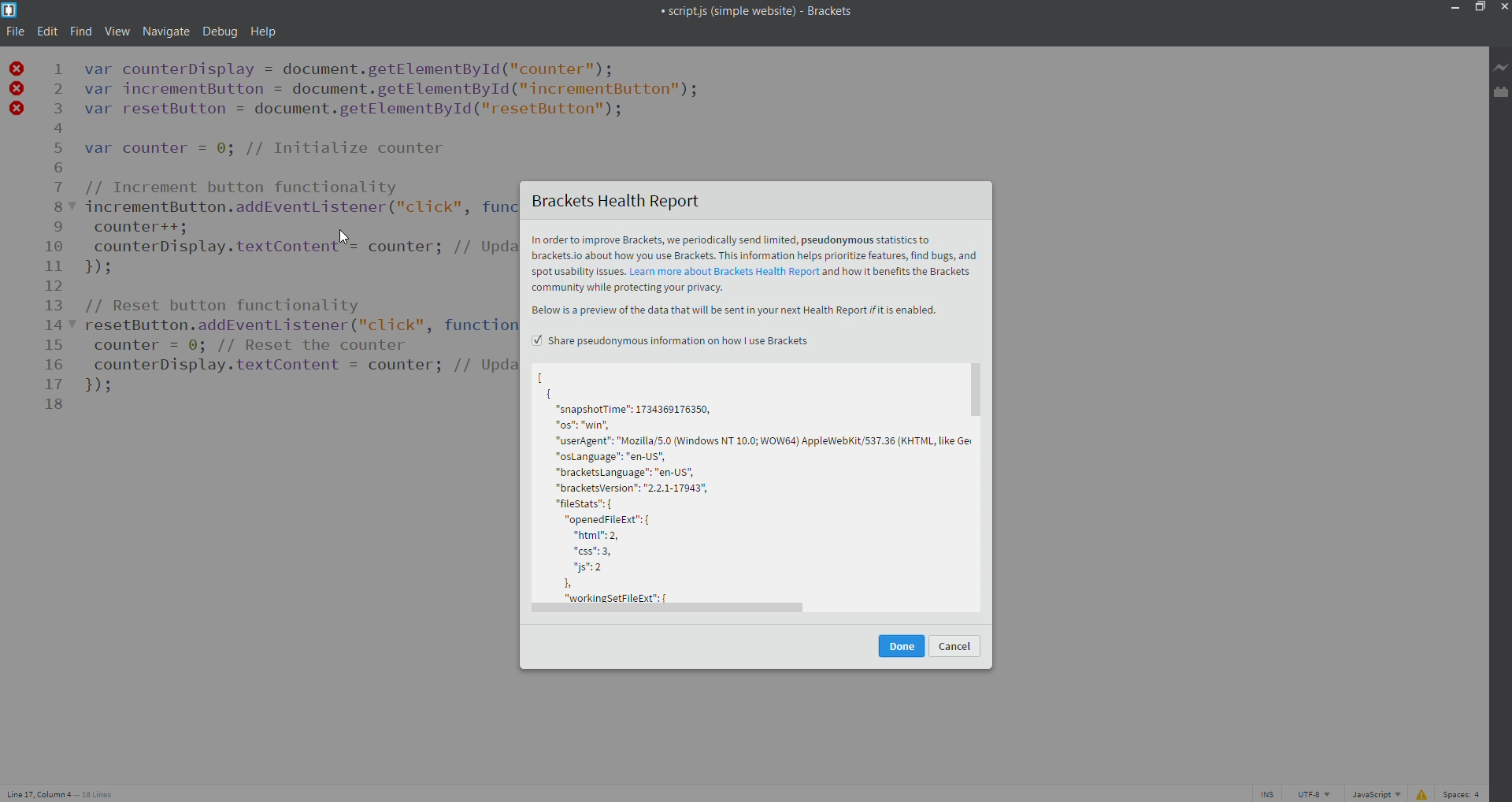  I want to click on maximize/restore, so click(1479, 9).